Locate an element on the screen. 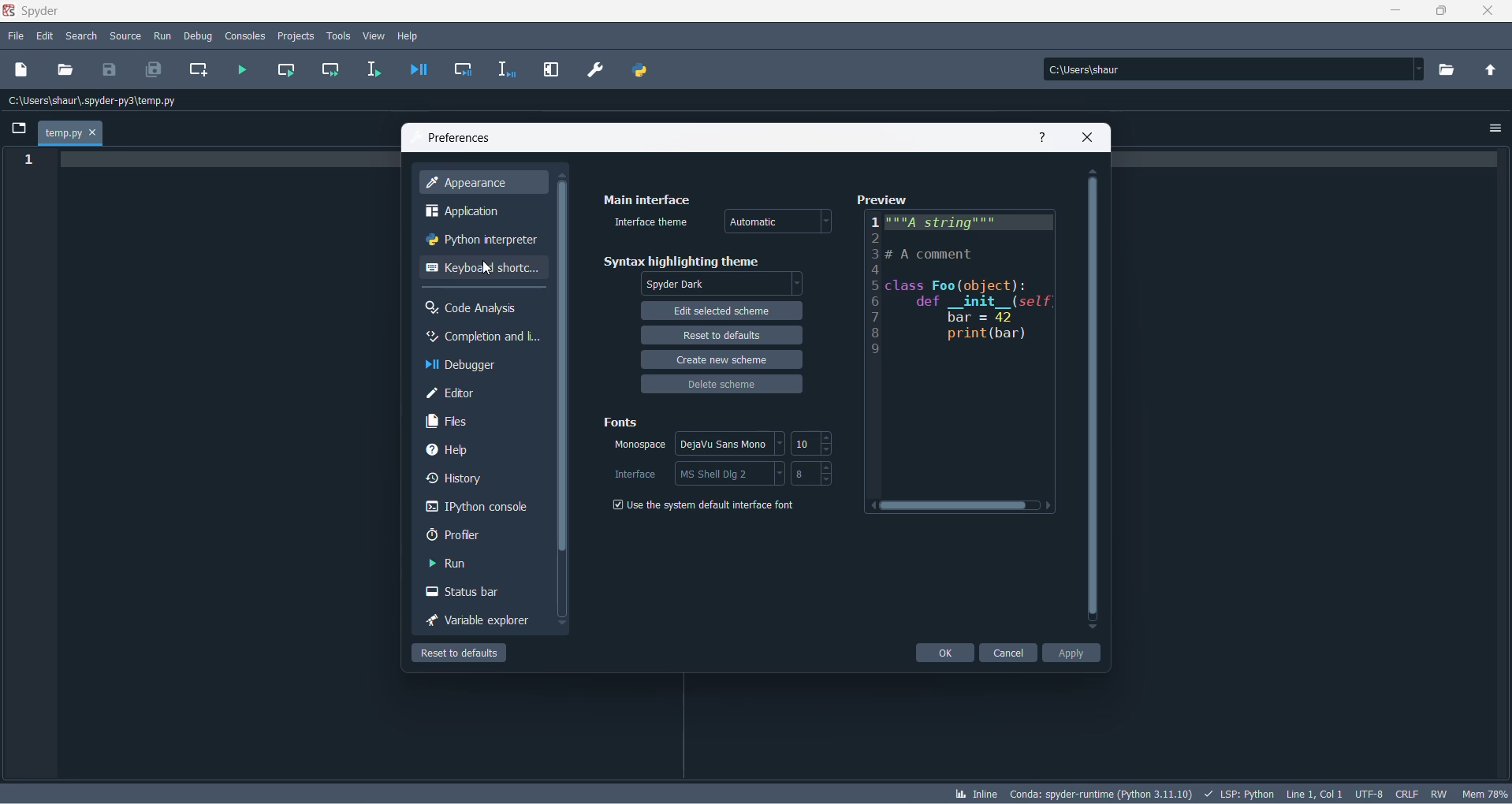 Image resolution: width=1512 pixels, height=804 pixels. reset to default is located at coordinates (720, 337).